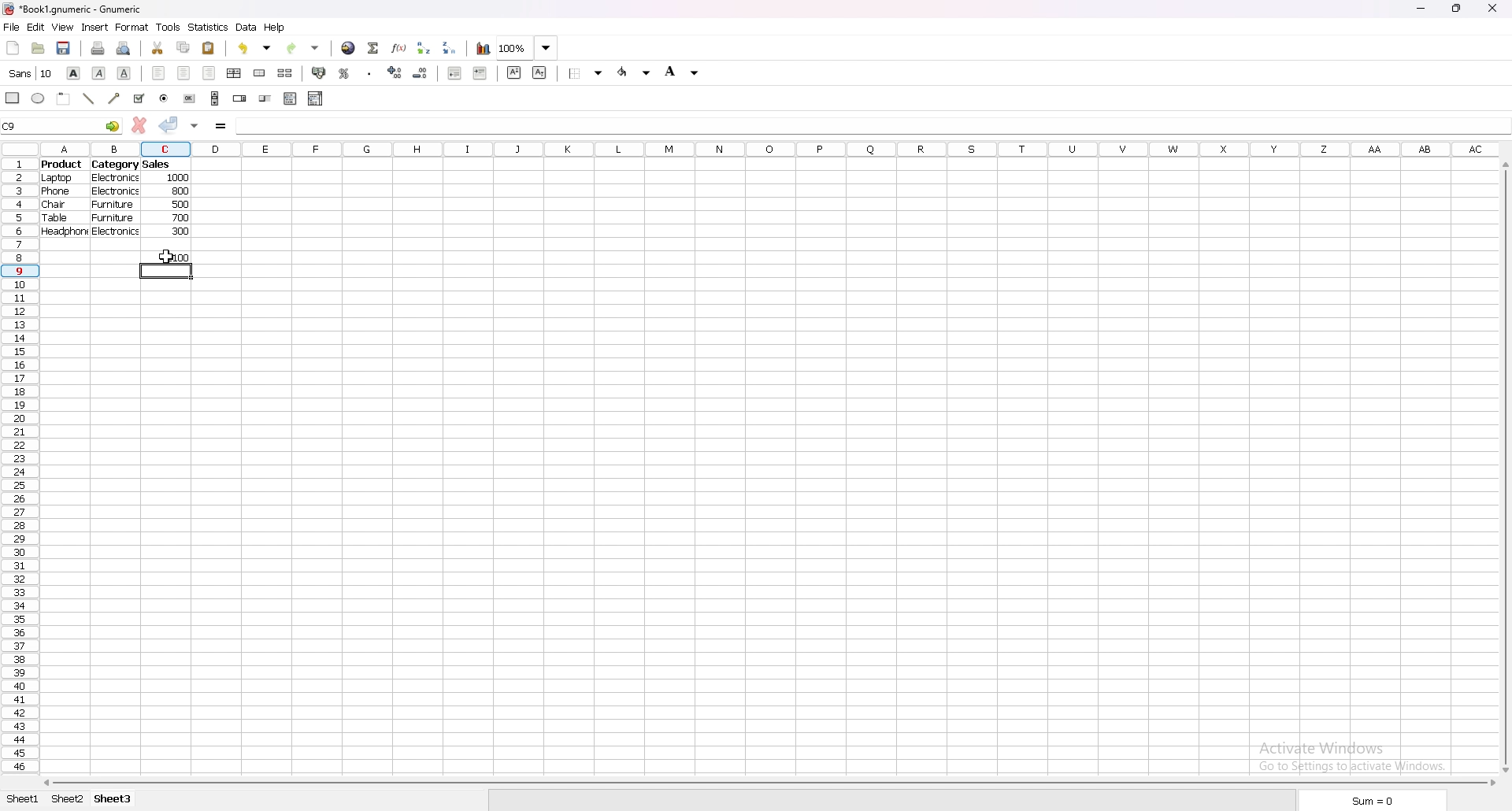  What do you see at coordinates (139, 98) in the screenshot?
I see `tickbox` at bounding box center [139, 98].